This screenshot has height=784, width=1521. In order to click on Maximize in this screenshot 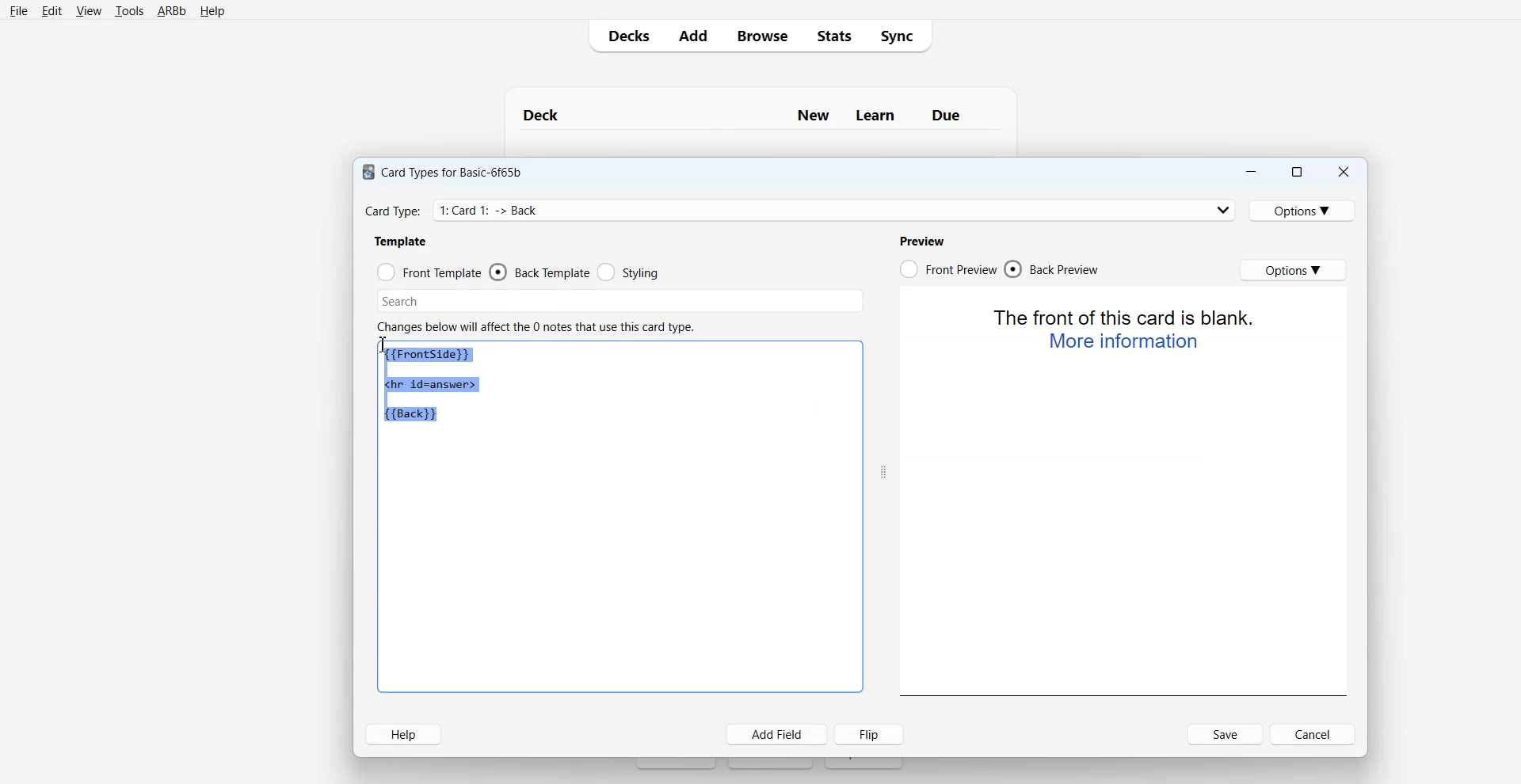, I will do `click(1298, 171)`.